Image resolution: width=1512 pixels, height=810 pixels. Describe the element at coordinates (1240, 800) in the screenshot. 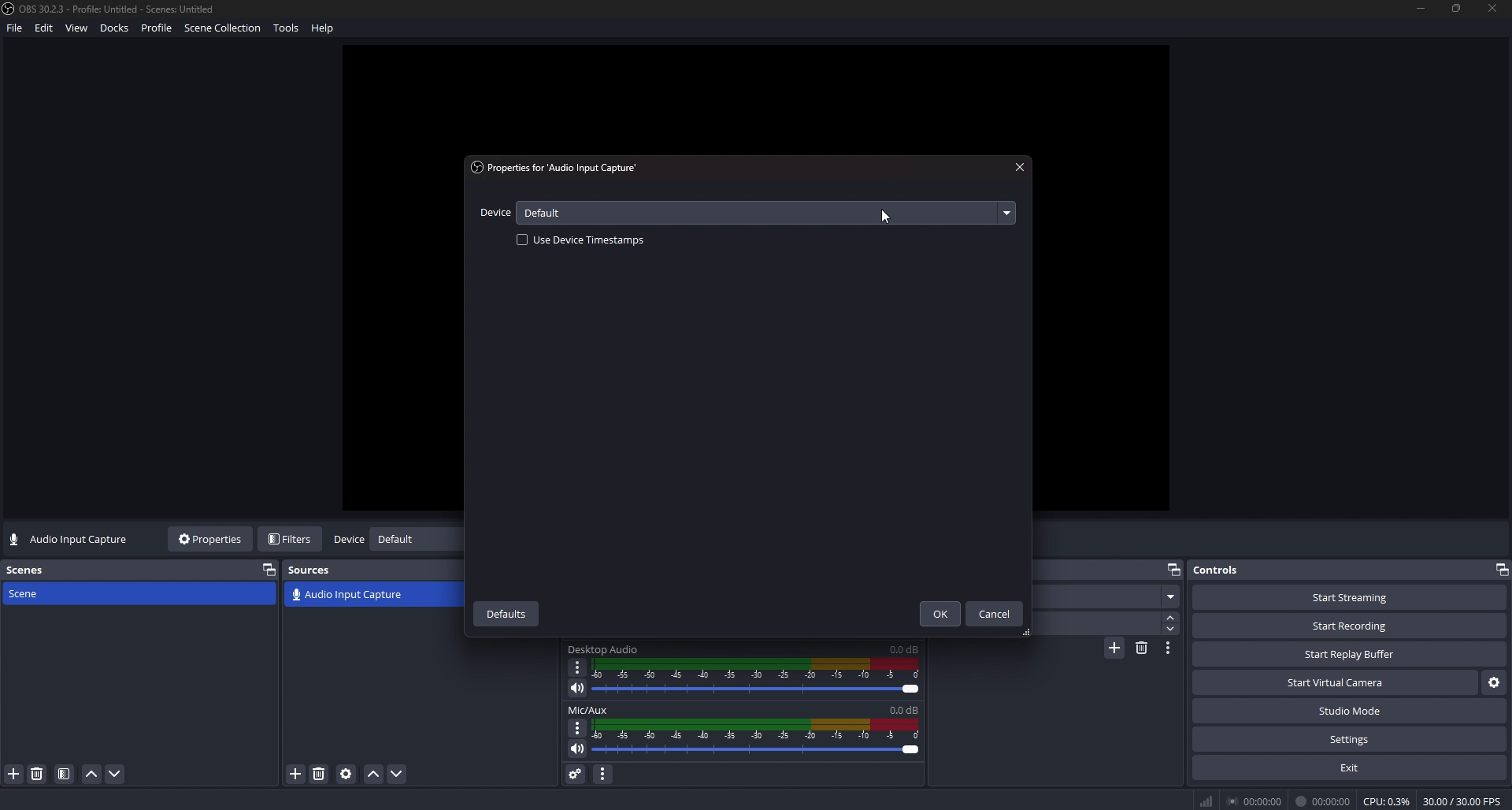

I see `® 00:00:00` at that location.